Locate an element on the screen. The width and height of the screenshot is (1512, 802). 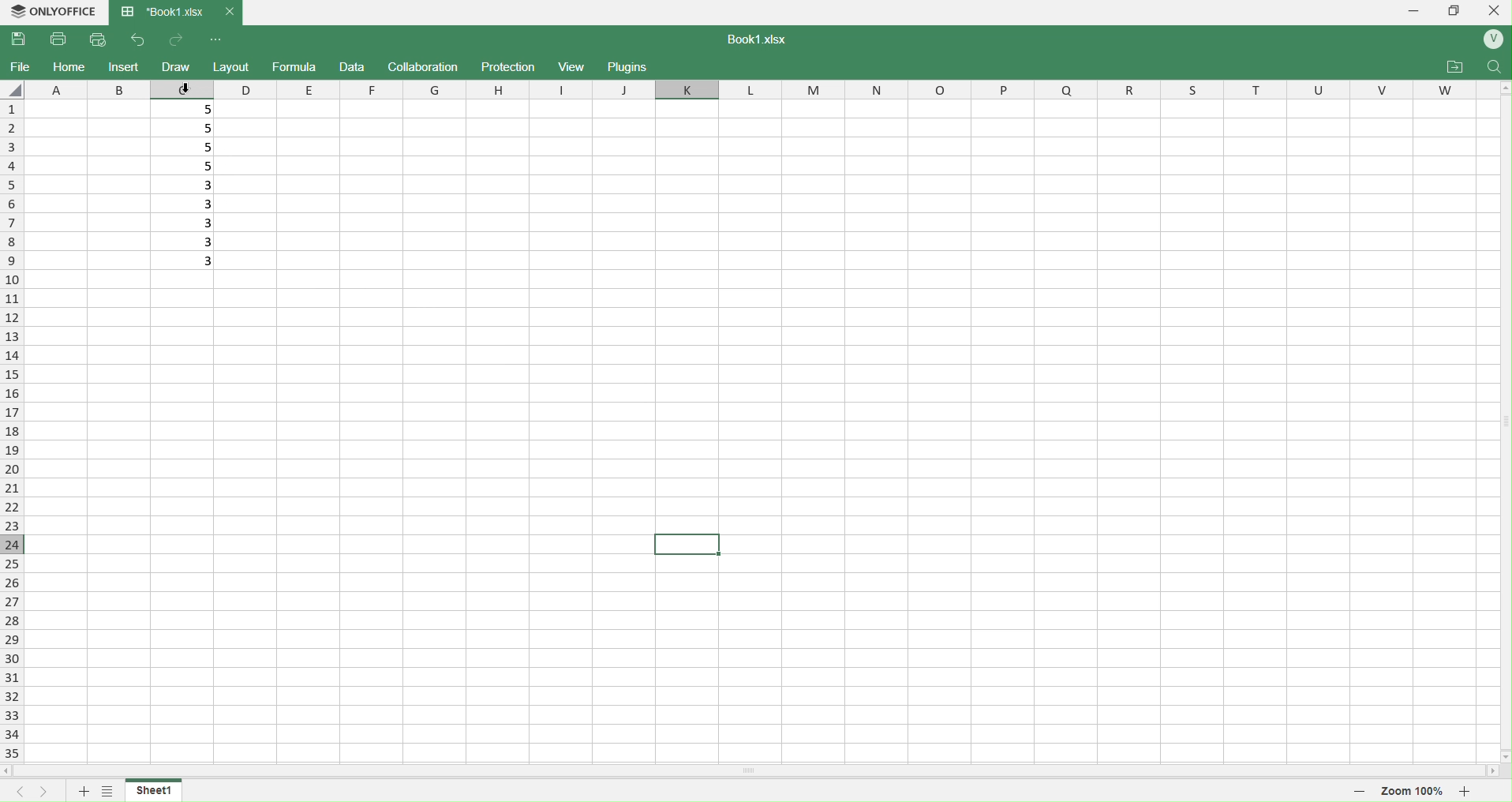
Open File location is located at coordinates (1455, 67).